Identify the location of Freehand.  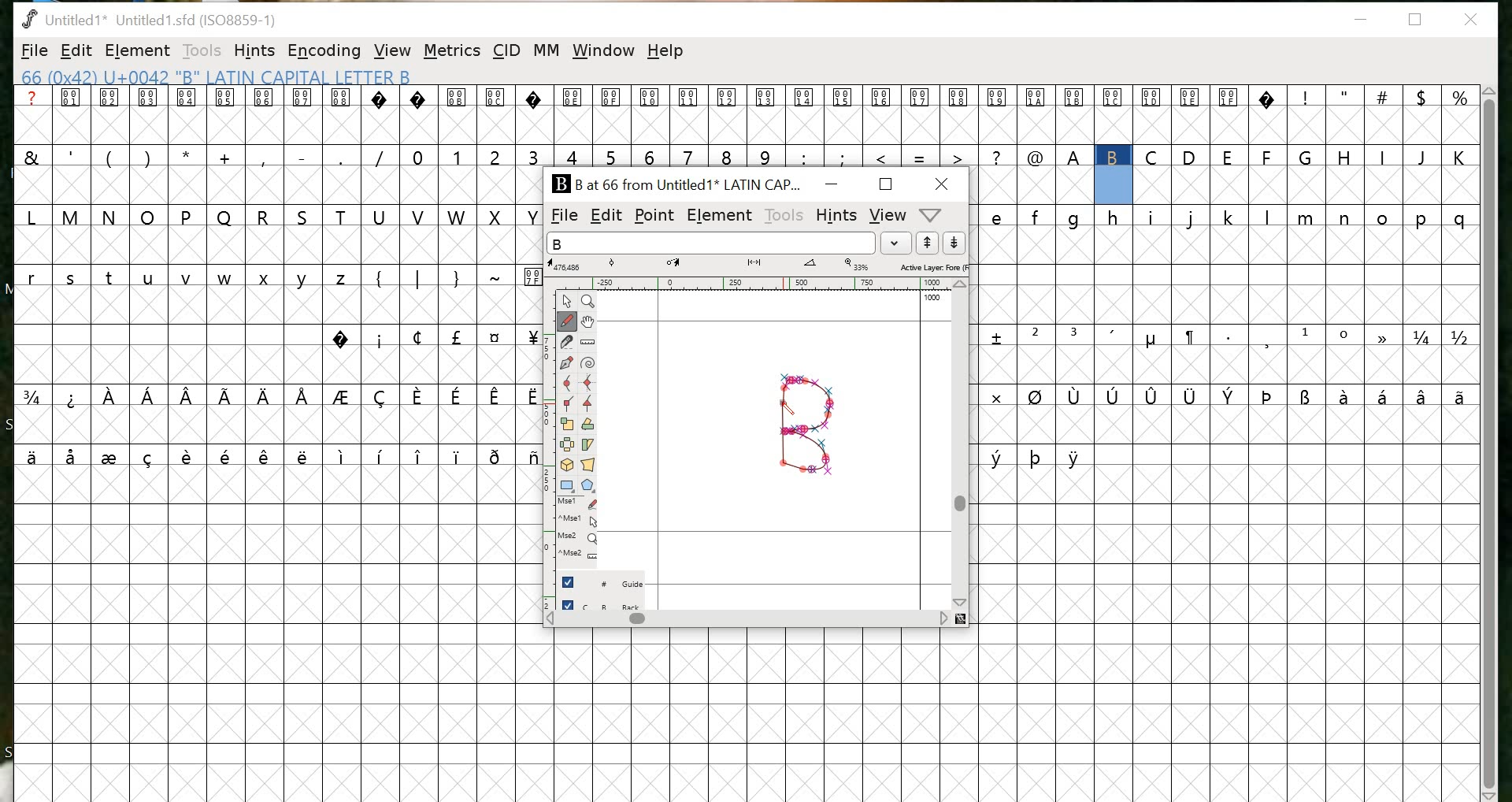
(568, 323).